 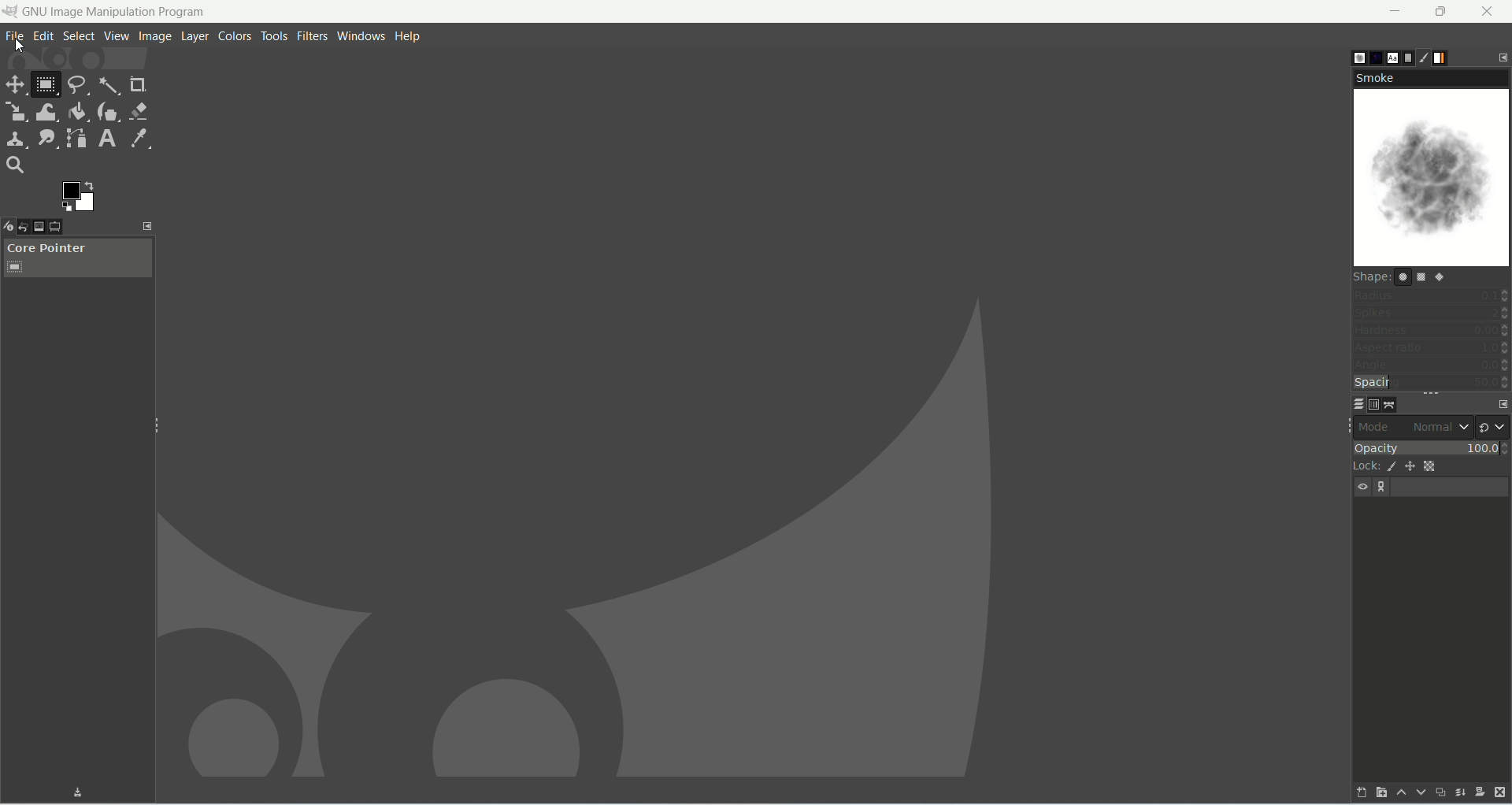 I want to click on shape, so click(x=1432, y=276).